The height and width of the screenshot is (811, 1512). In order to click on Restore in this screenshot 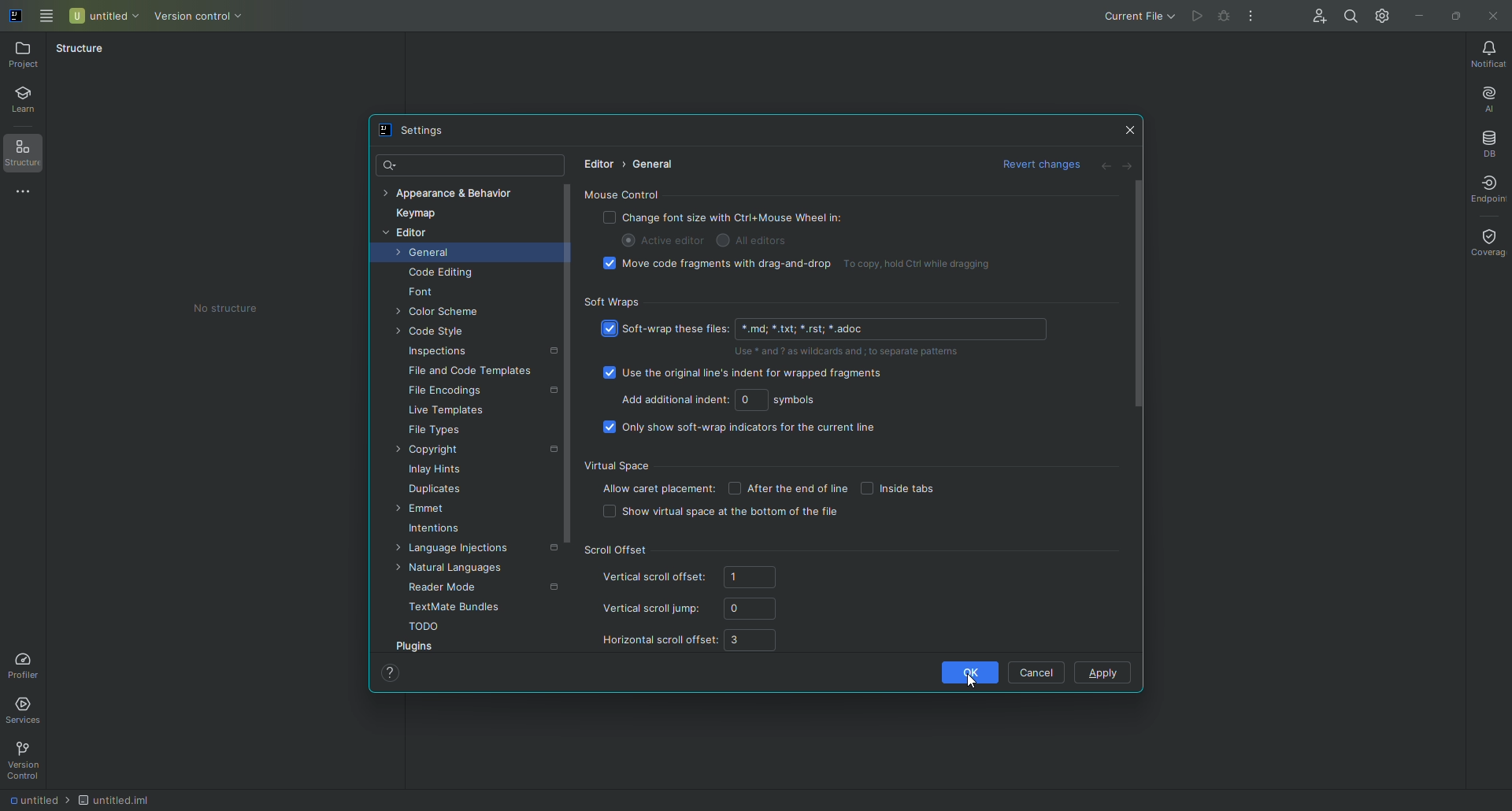, I will do `click(1454, 14)`.